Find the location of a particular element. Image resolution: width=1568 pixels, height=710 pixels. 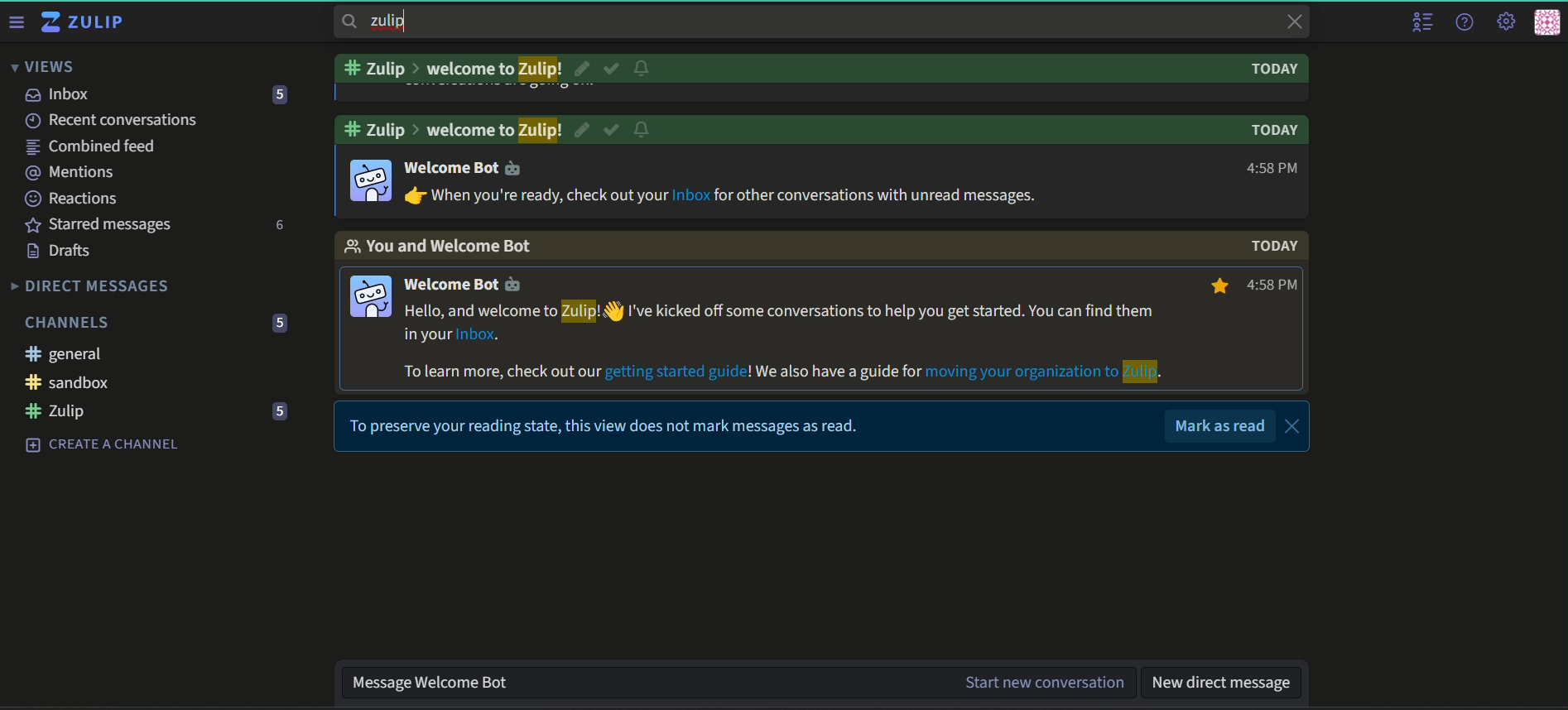

time is located at coordinates (1270, 169).